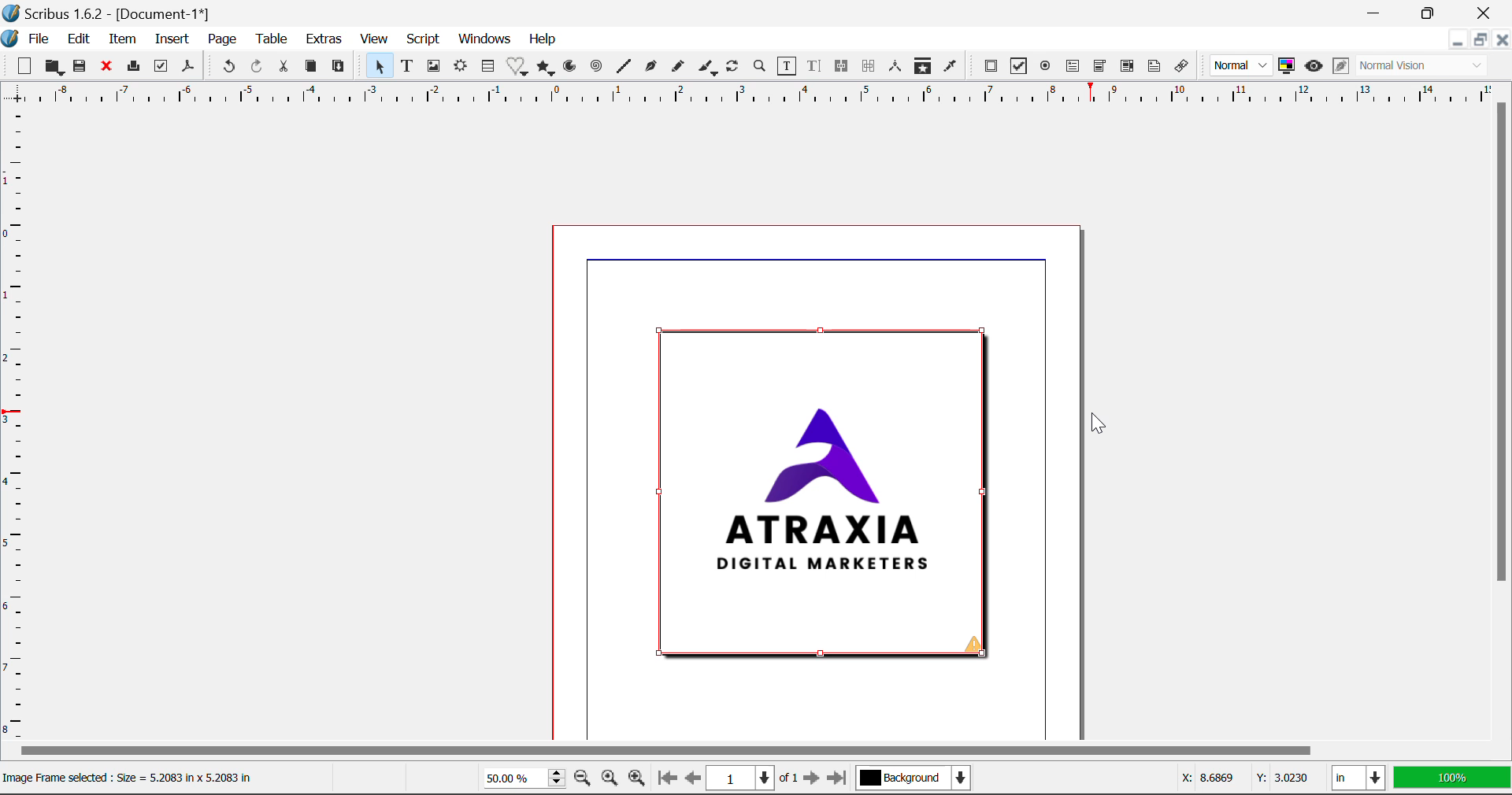  Describe the element at coordinates (53, 67) in the screenshot. I see `Open` at that location.